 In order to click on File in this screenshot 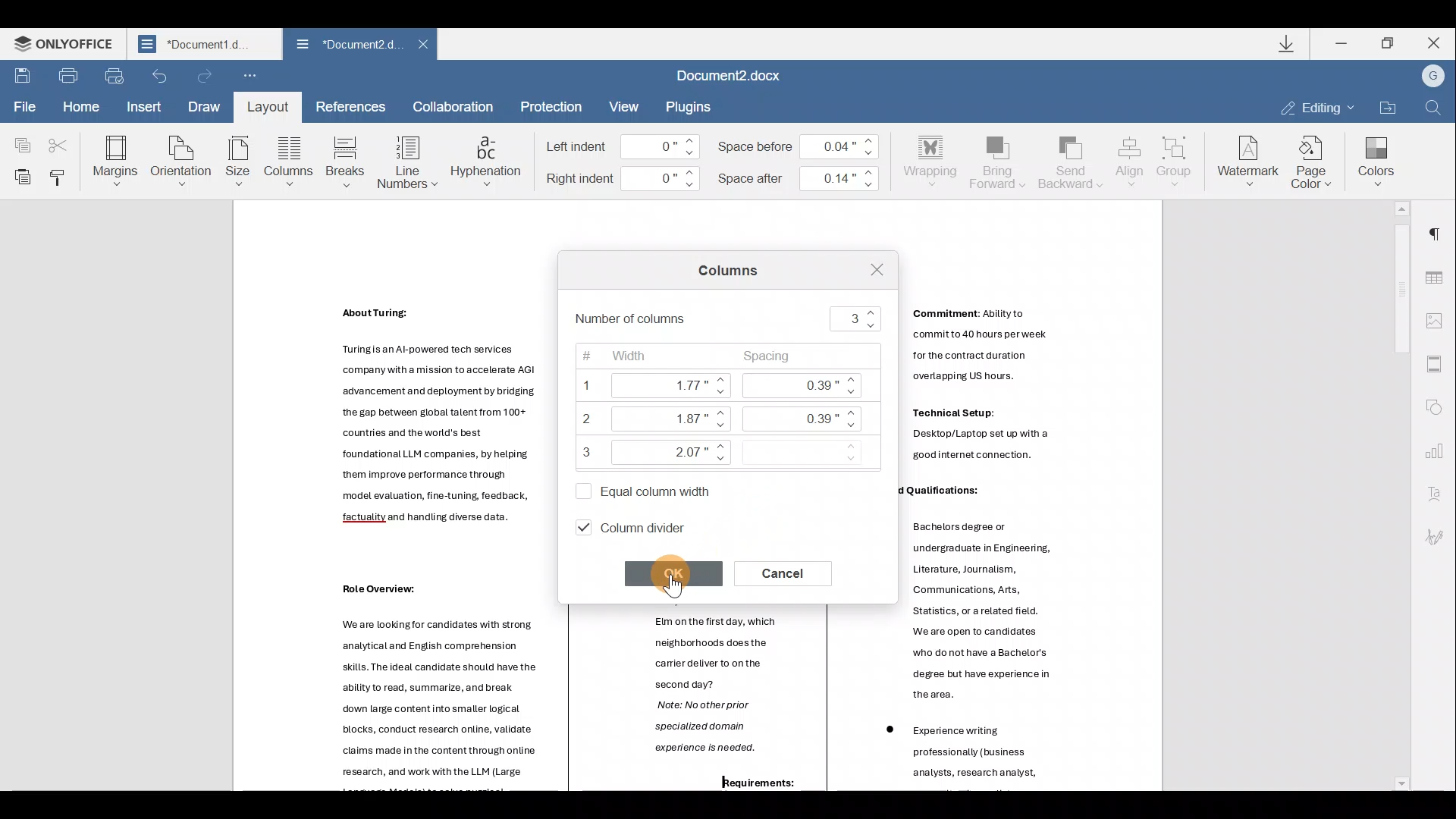, I will do `click(22, 105)`.